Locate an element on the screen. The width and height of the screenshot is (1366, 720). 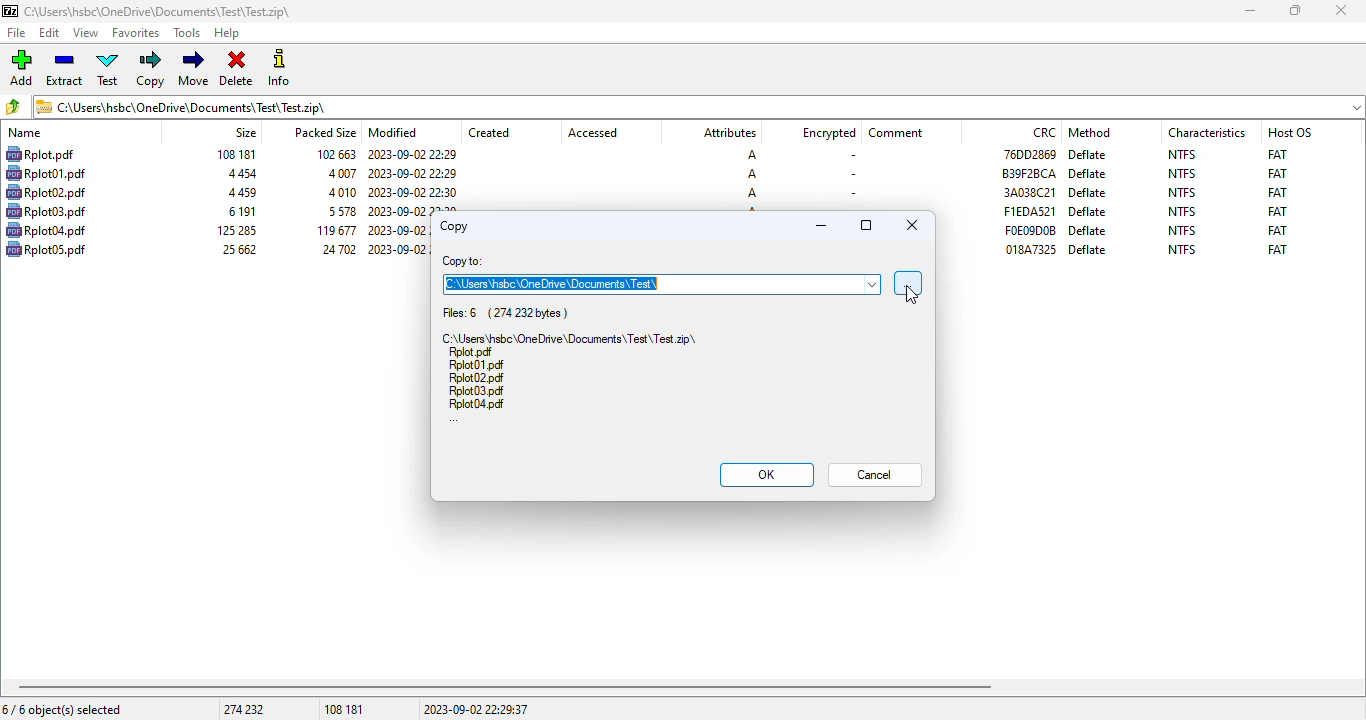
OK is located at coordinates (766, 475).